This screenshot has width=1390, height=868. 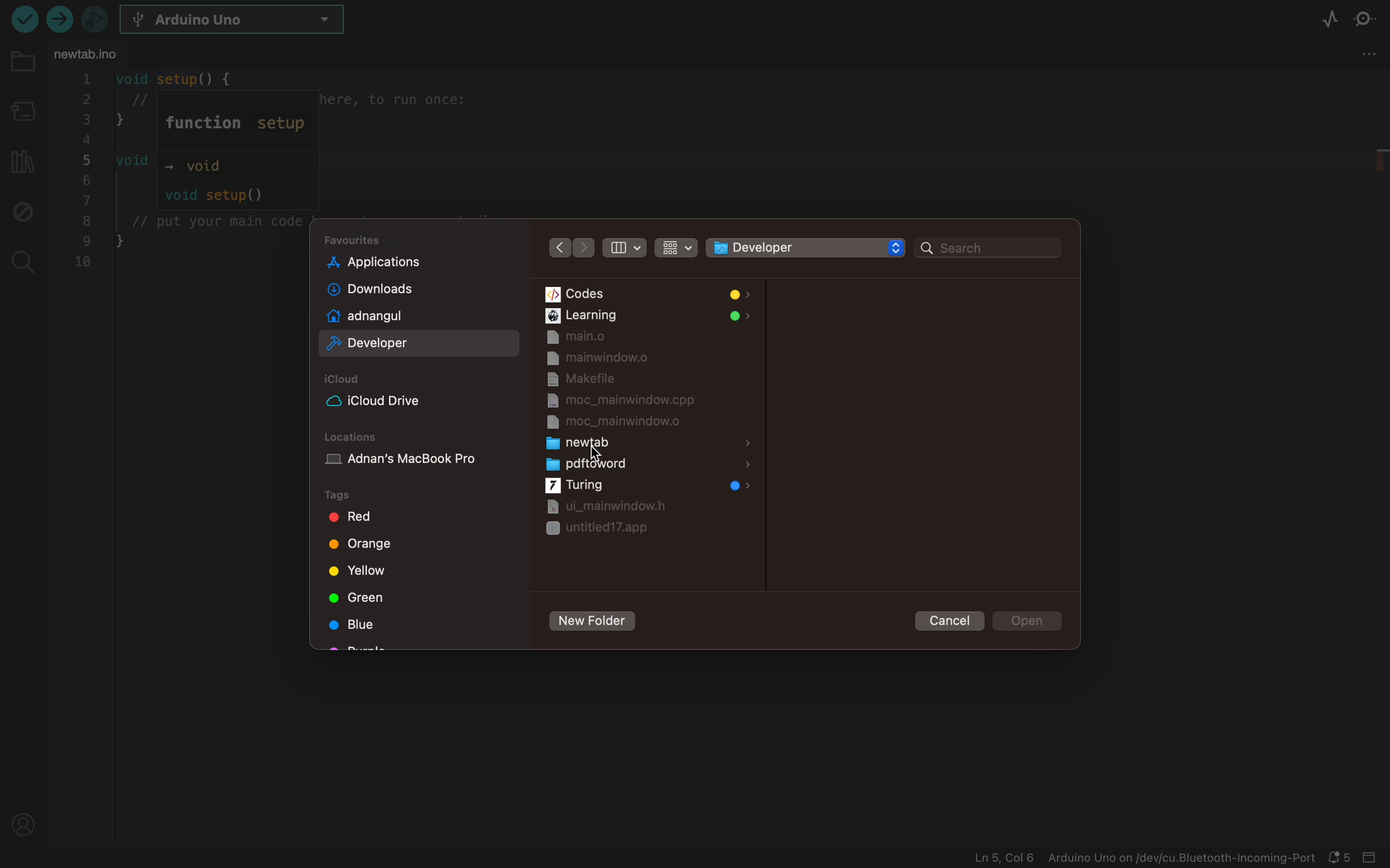 What do you see at coordinates (674, 246) in the screenshot?
I see `row filter` at bounding box center [674, 246].